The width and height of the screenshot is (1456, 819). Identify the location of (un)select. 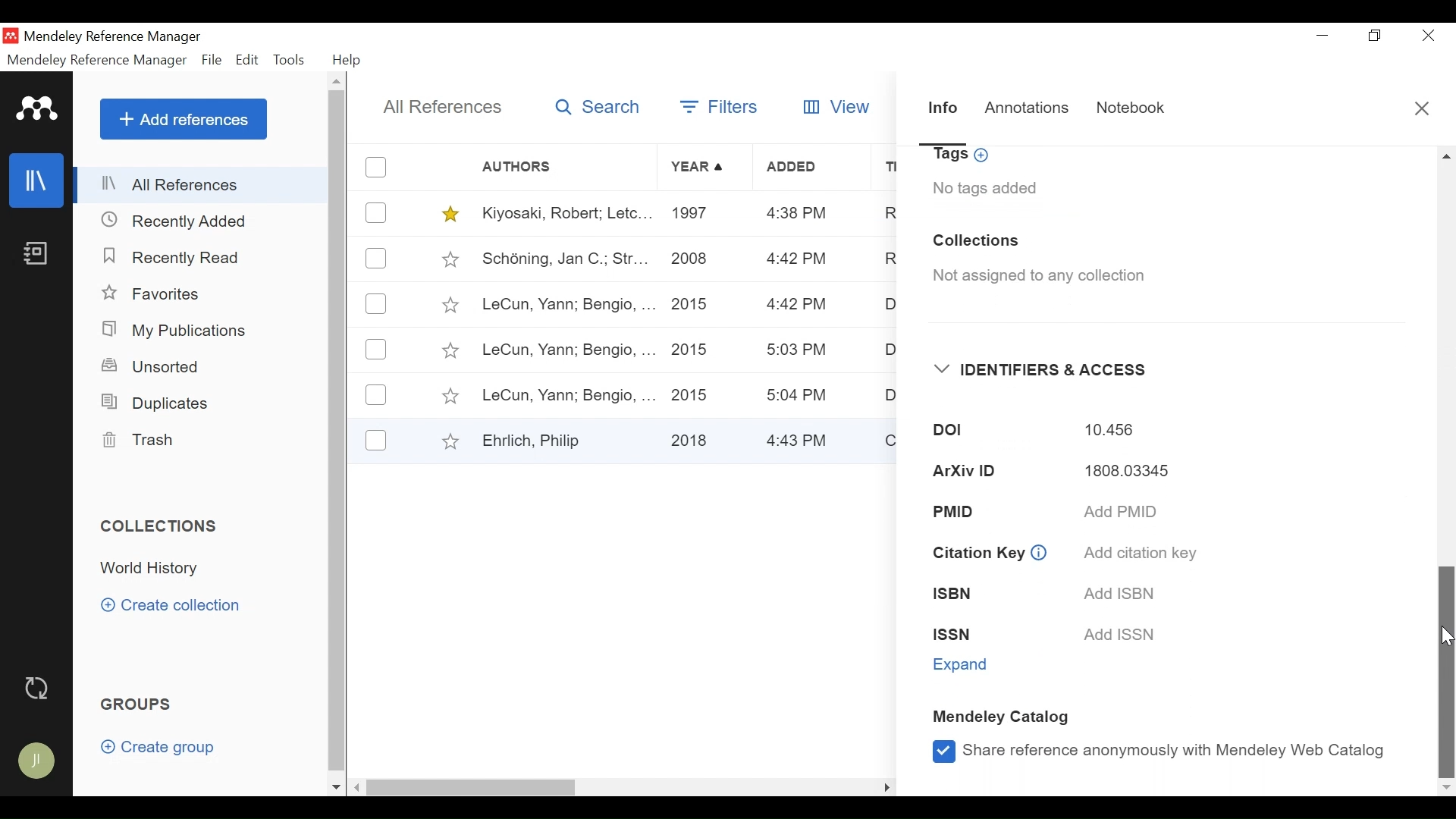
(376, 395).